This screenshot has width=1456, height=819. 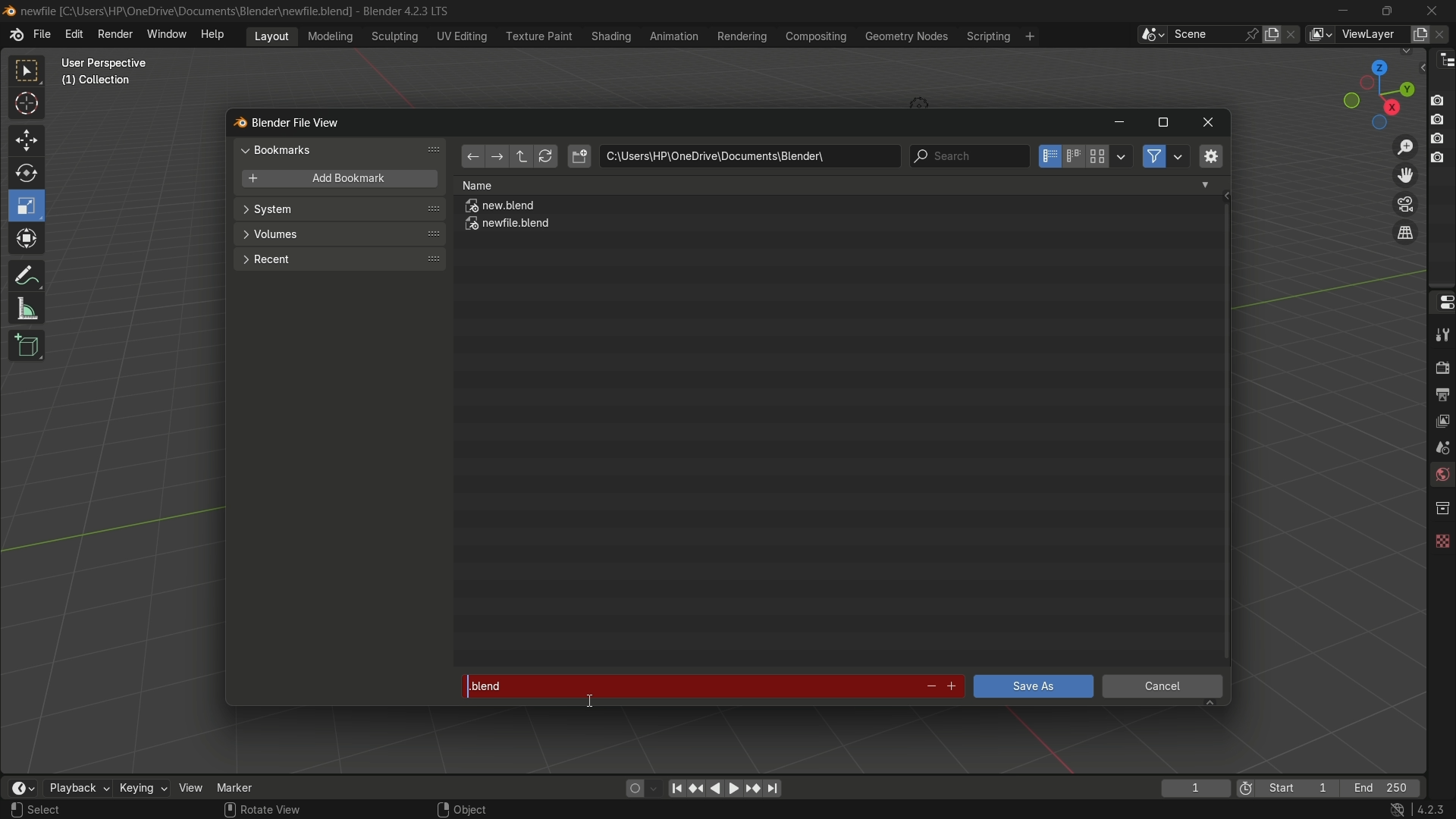 I want to click on new scene, so click(x=1275, y=34).